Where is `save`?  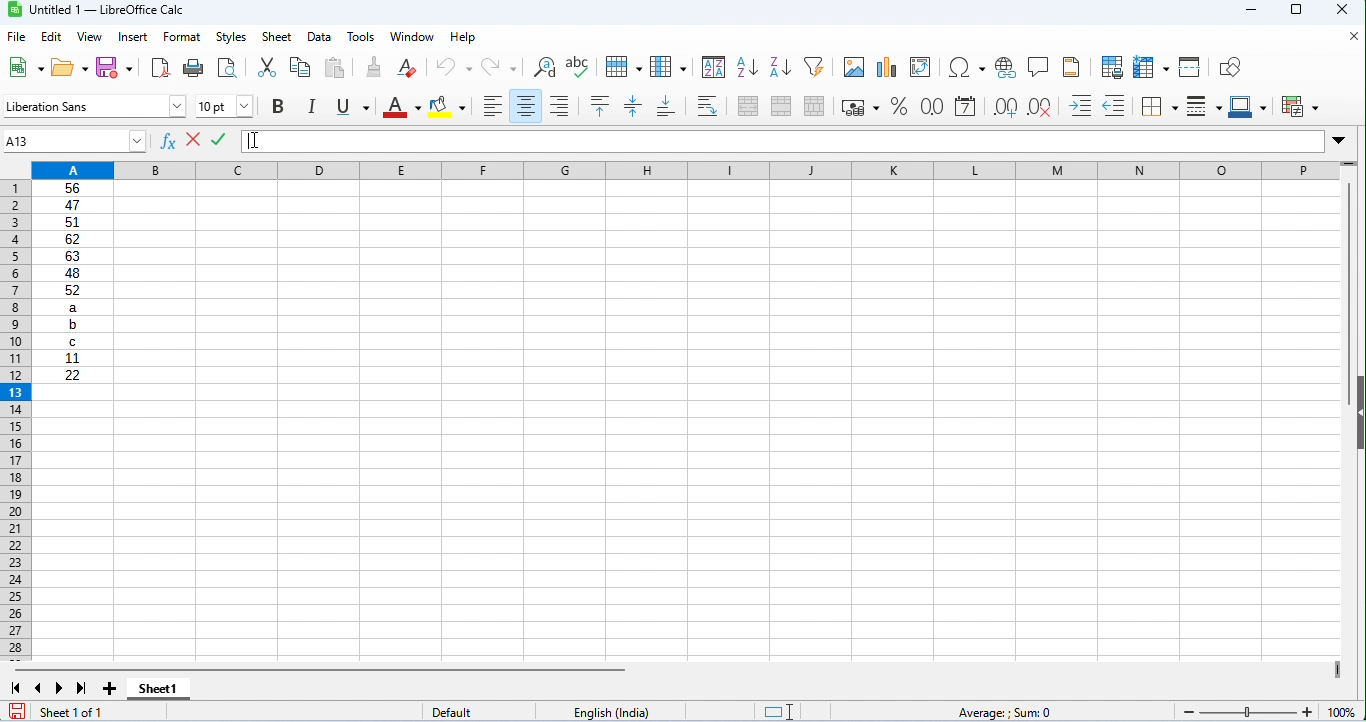
save is located at coordinates (17, 711).